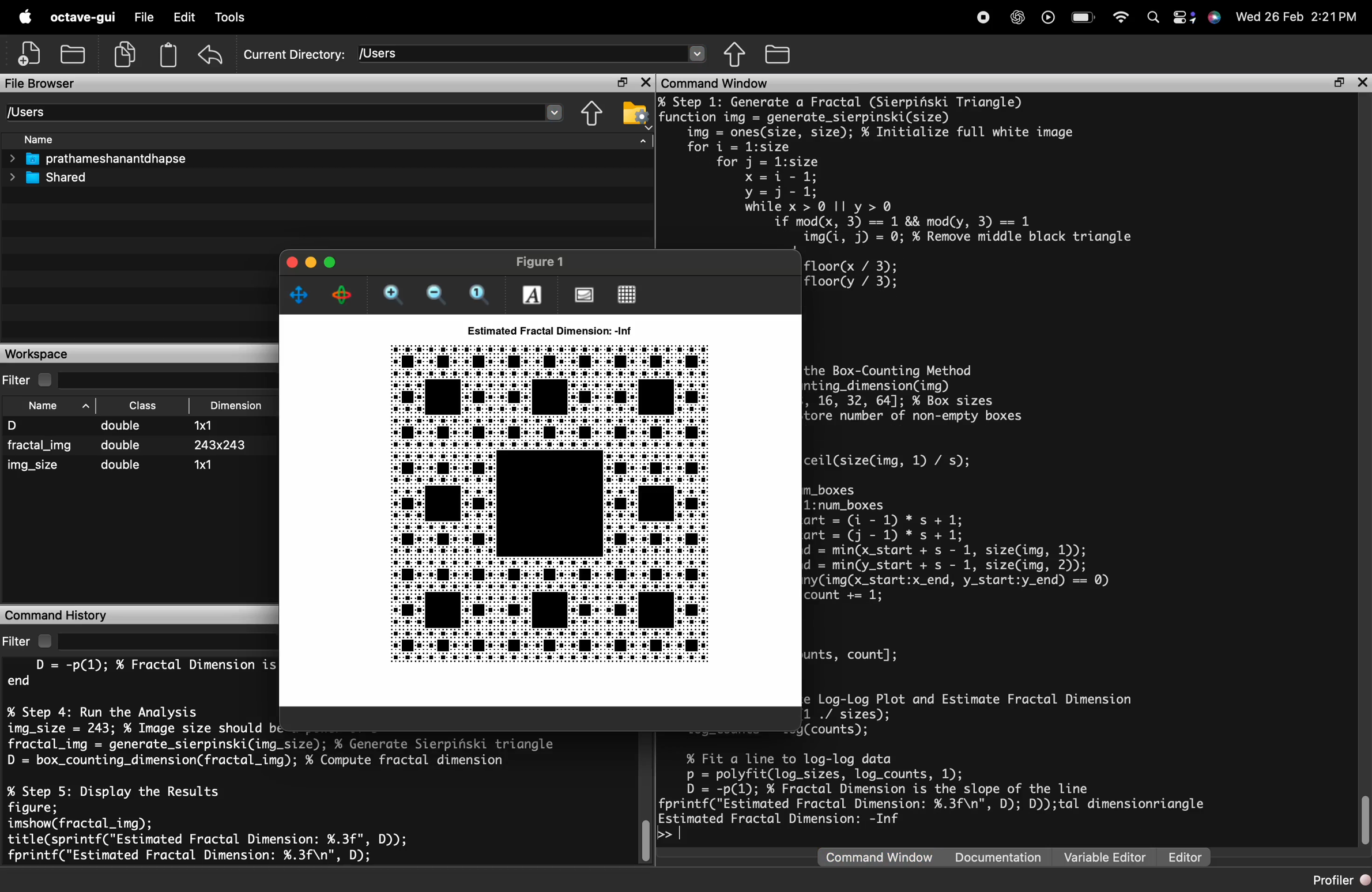 The height and width of the screenshot is (892, 1372). I want to click on Documentation, so click(1000, 860).